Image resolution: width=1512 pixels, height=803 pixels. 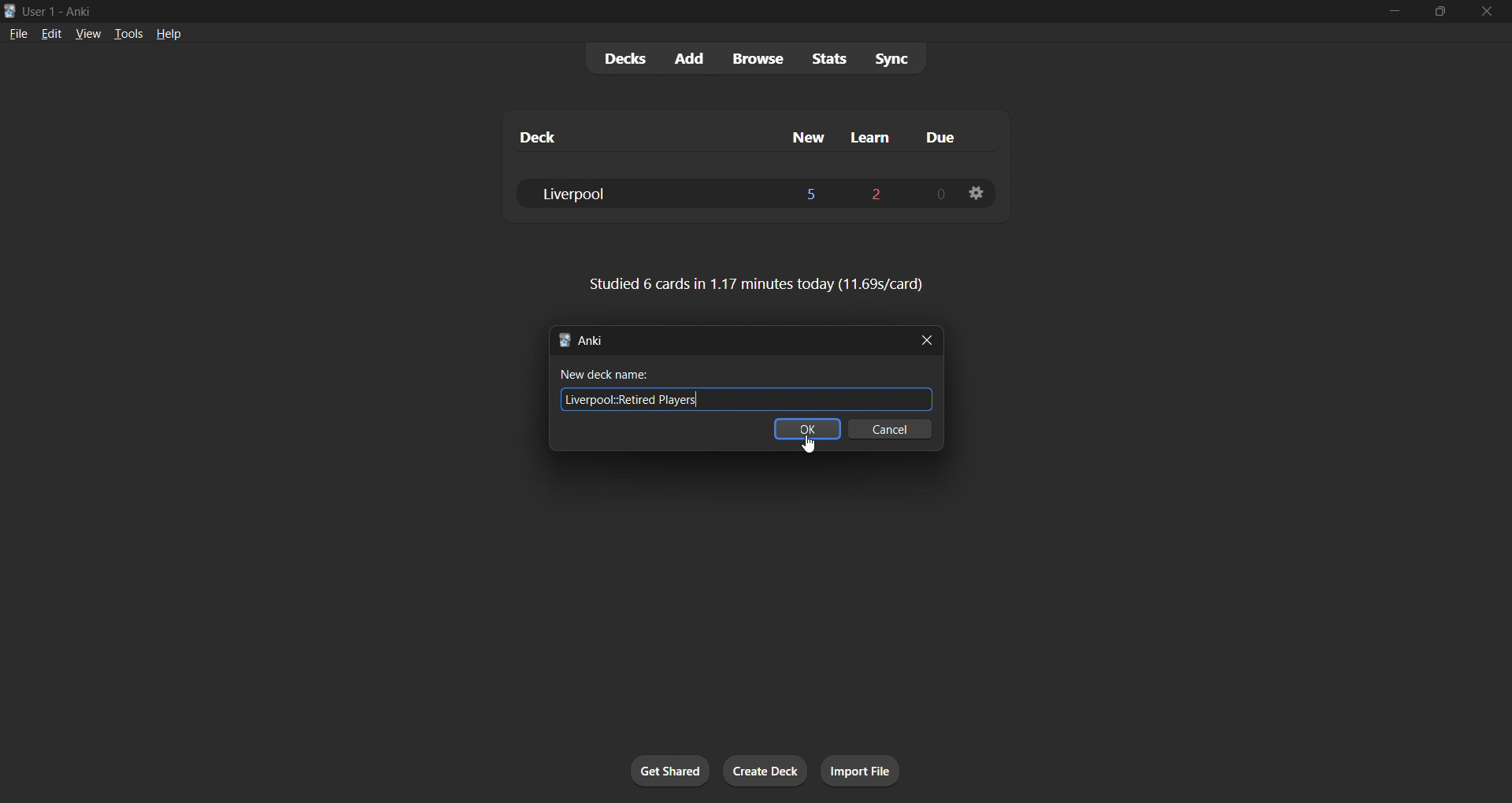 What do you see at coordinates (175, 35) in the screenshot?
I see `help` at bounding box center [175, 35].